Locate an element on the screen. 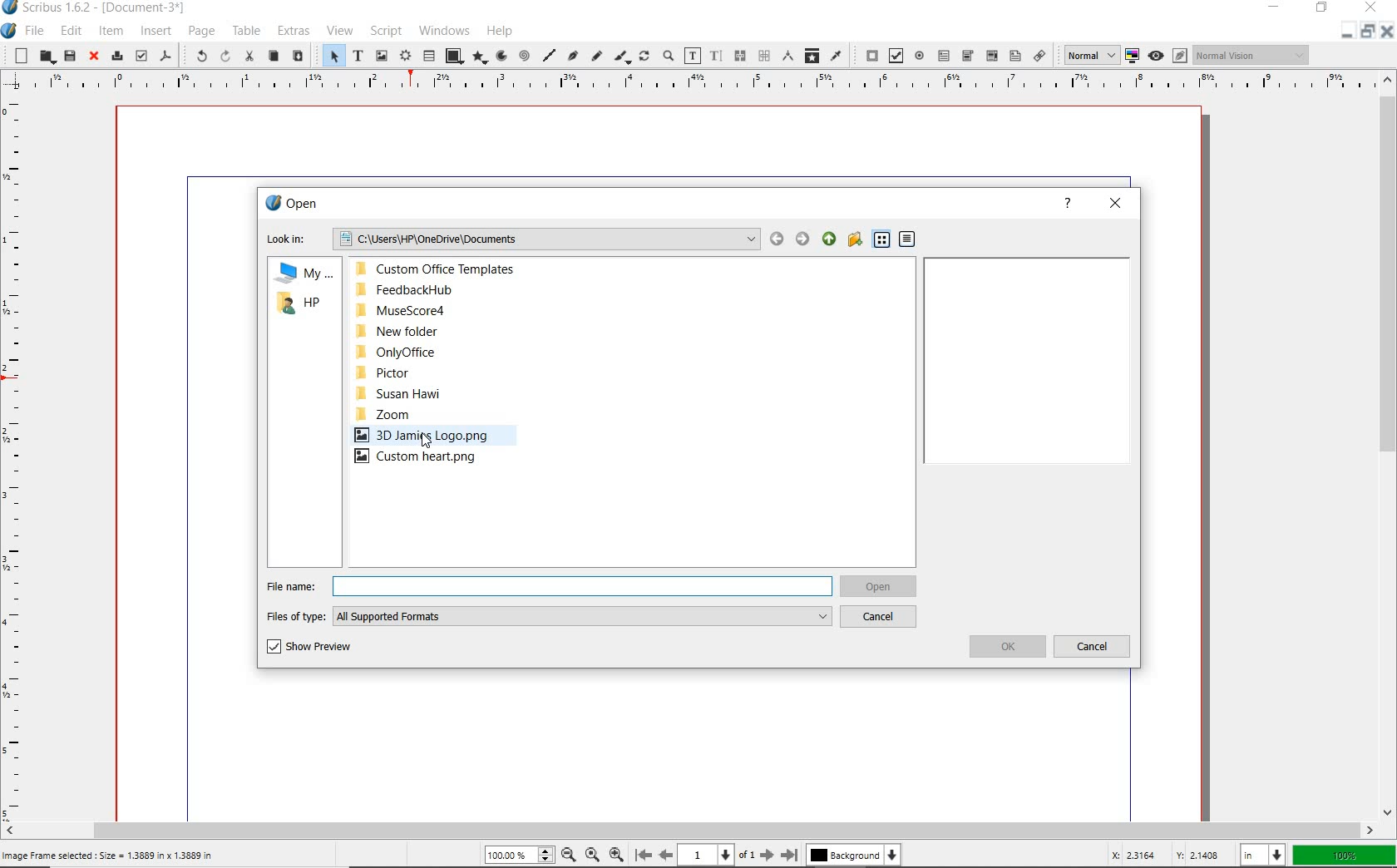 The height and width of the screenshot is (868, 1397). MY COMPUTER is located at coordinates (299, 274).